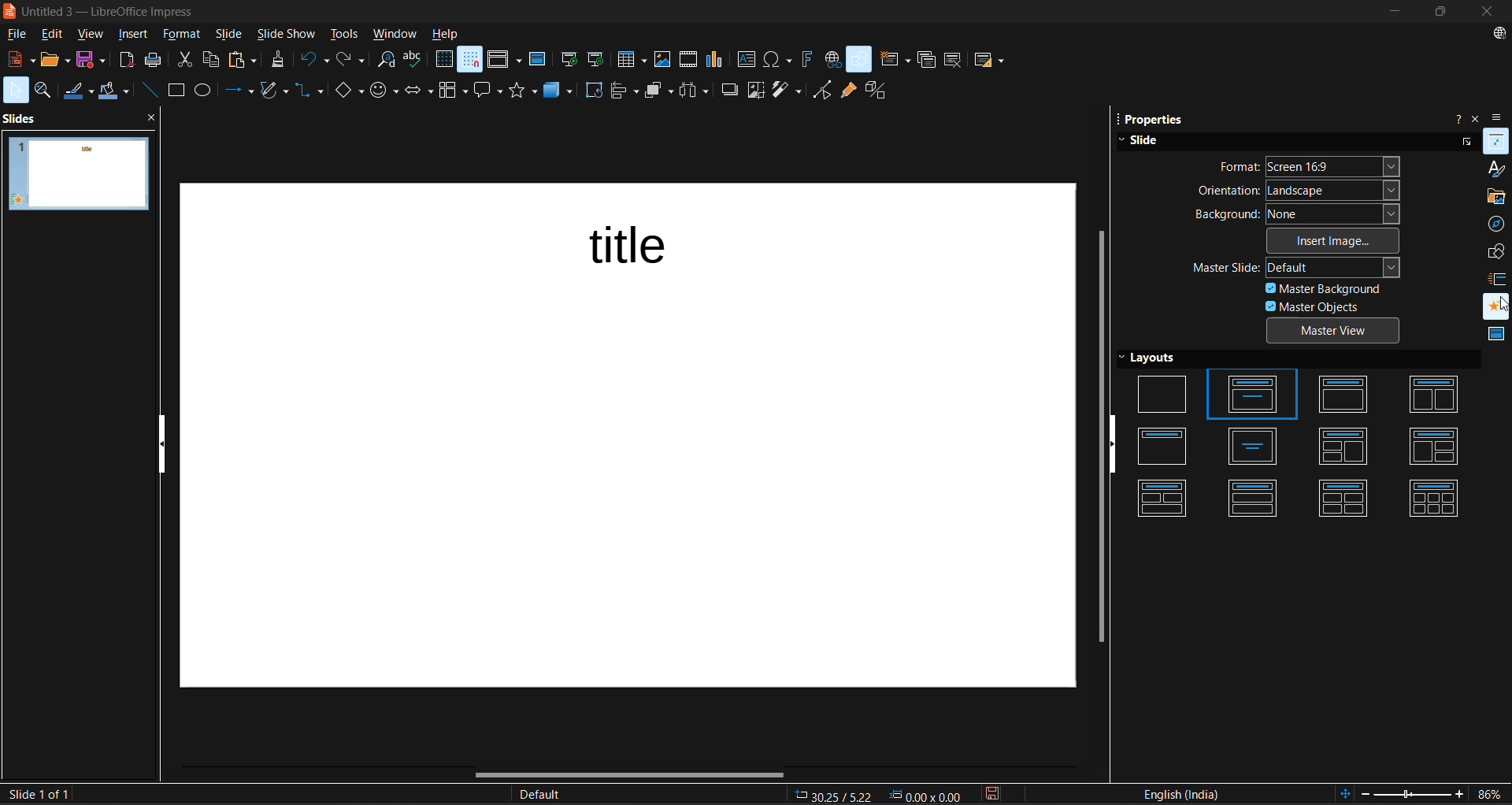 Image resolution: width=1512 pixels, height=805 pixels. What do you see at coordinates (1308, 166) in the screenshot?
I see `format` at bounding box center [1308, 166].